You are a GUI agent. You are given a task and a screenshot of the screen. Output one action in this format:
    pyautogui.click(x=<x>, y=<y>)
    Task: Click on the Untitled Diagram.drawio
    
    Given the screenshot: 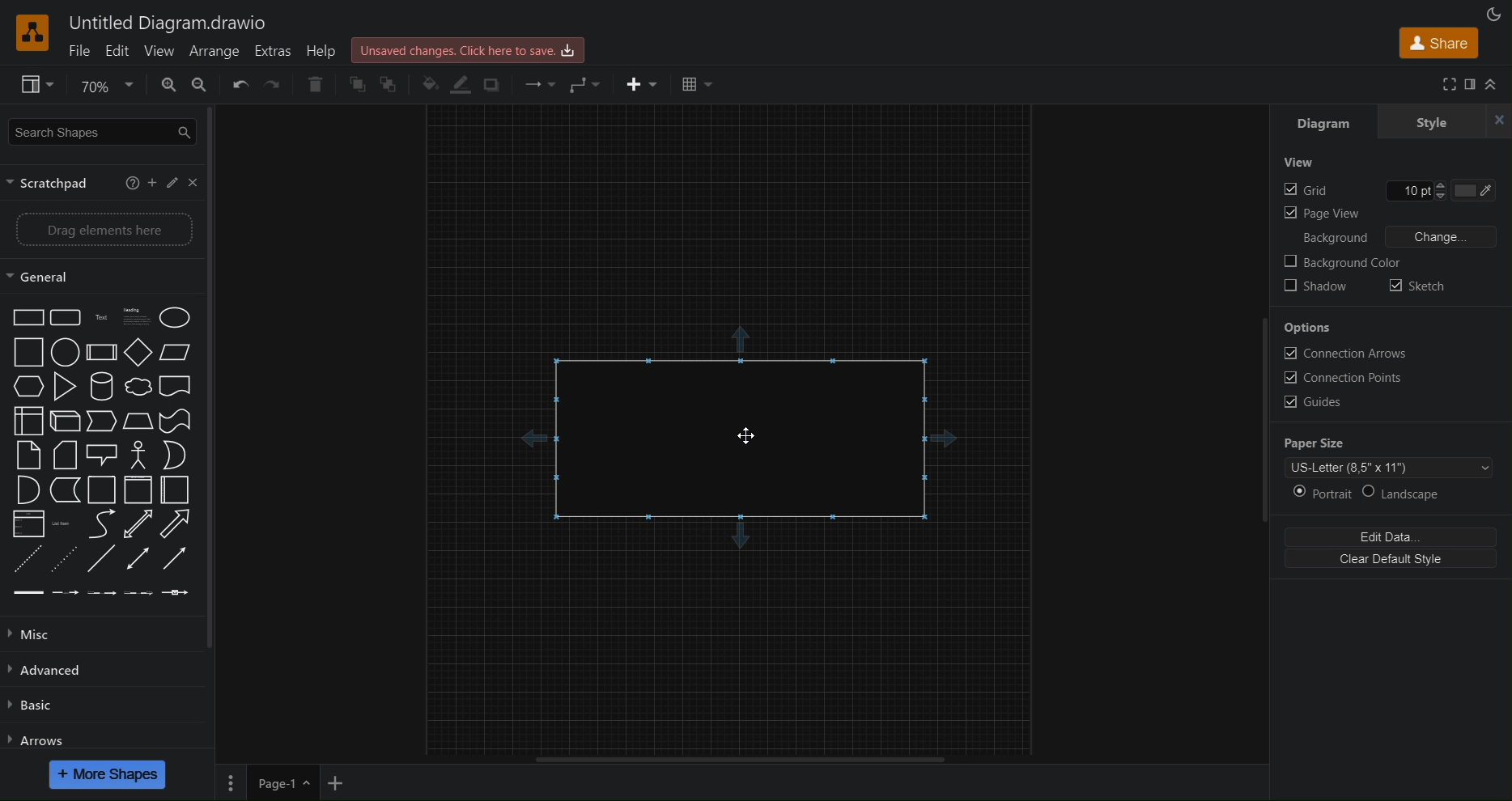 What is the action you would take?
    pyautogui.click(x=170, y=23)
    